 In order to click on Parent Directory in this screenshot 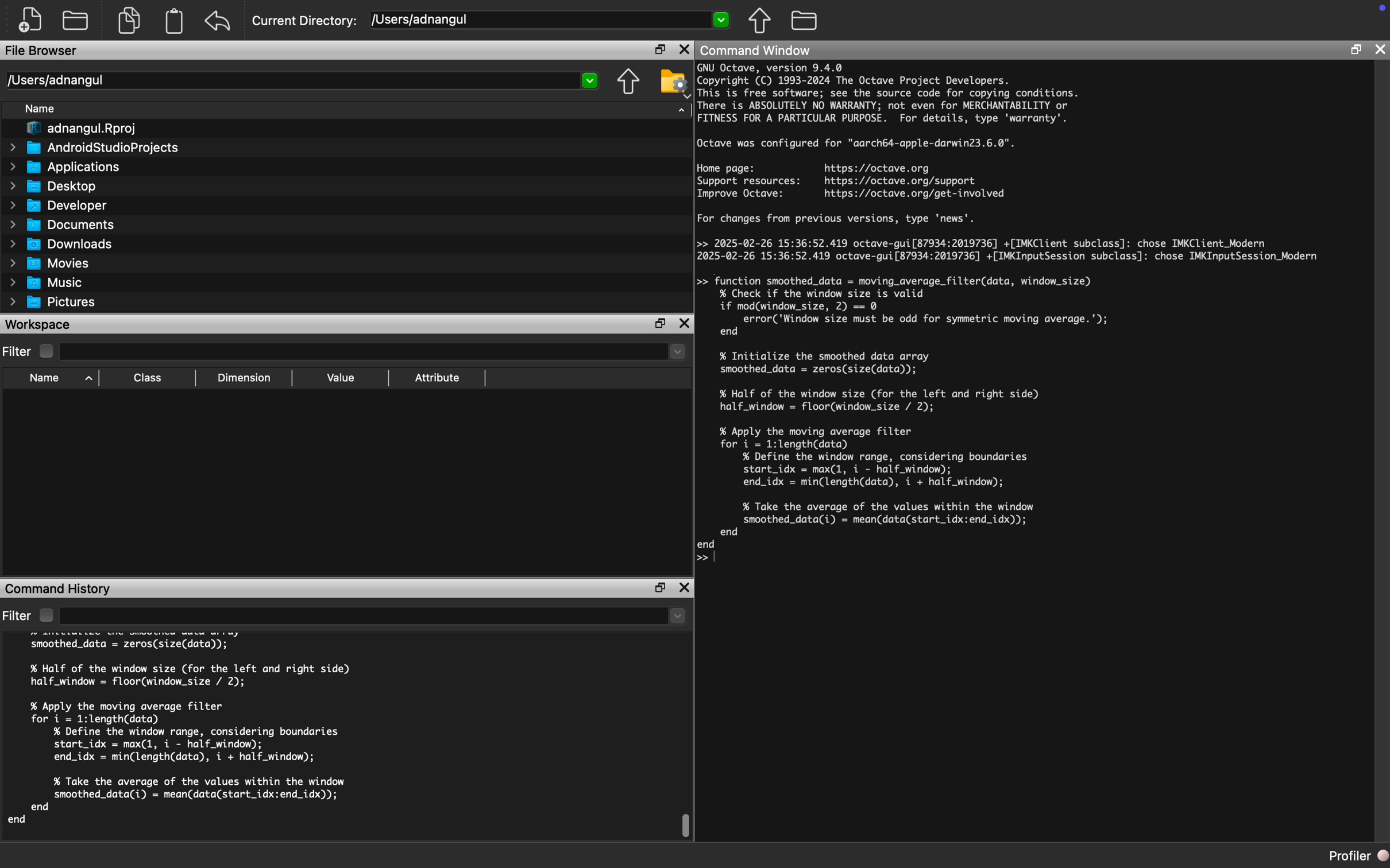, I will do `click(630, 83)`.